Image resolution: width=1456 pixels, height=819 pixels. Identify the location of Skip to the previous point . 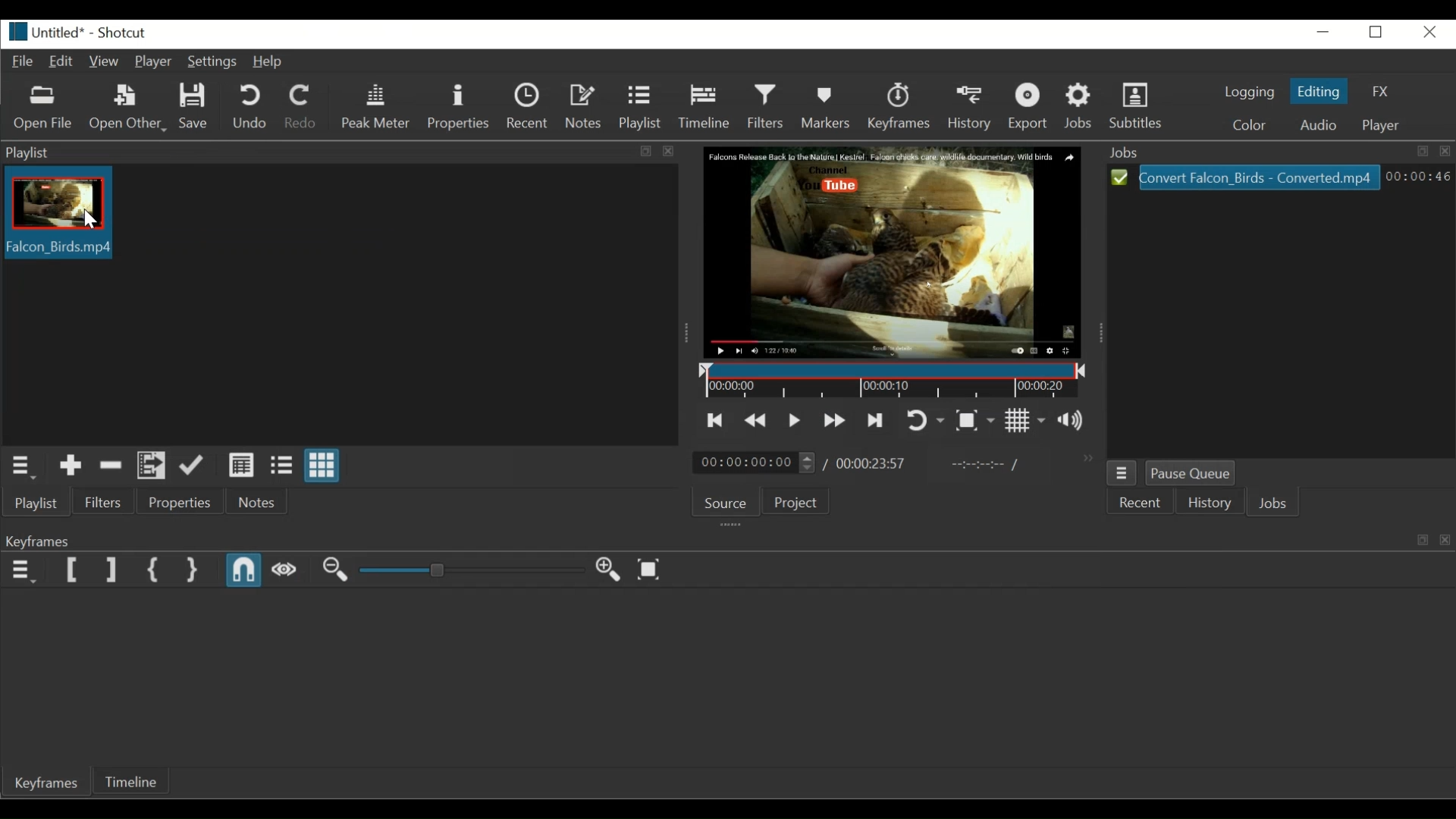
(712, 419).